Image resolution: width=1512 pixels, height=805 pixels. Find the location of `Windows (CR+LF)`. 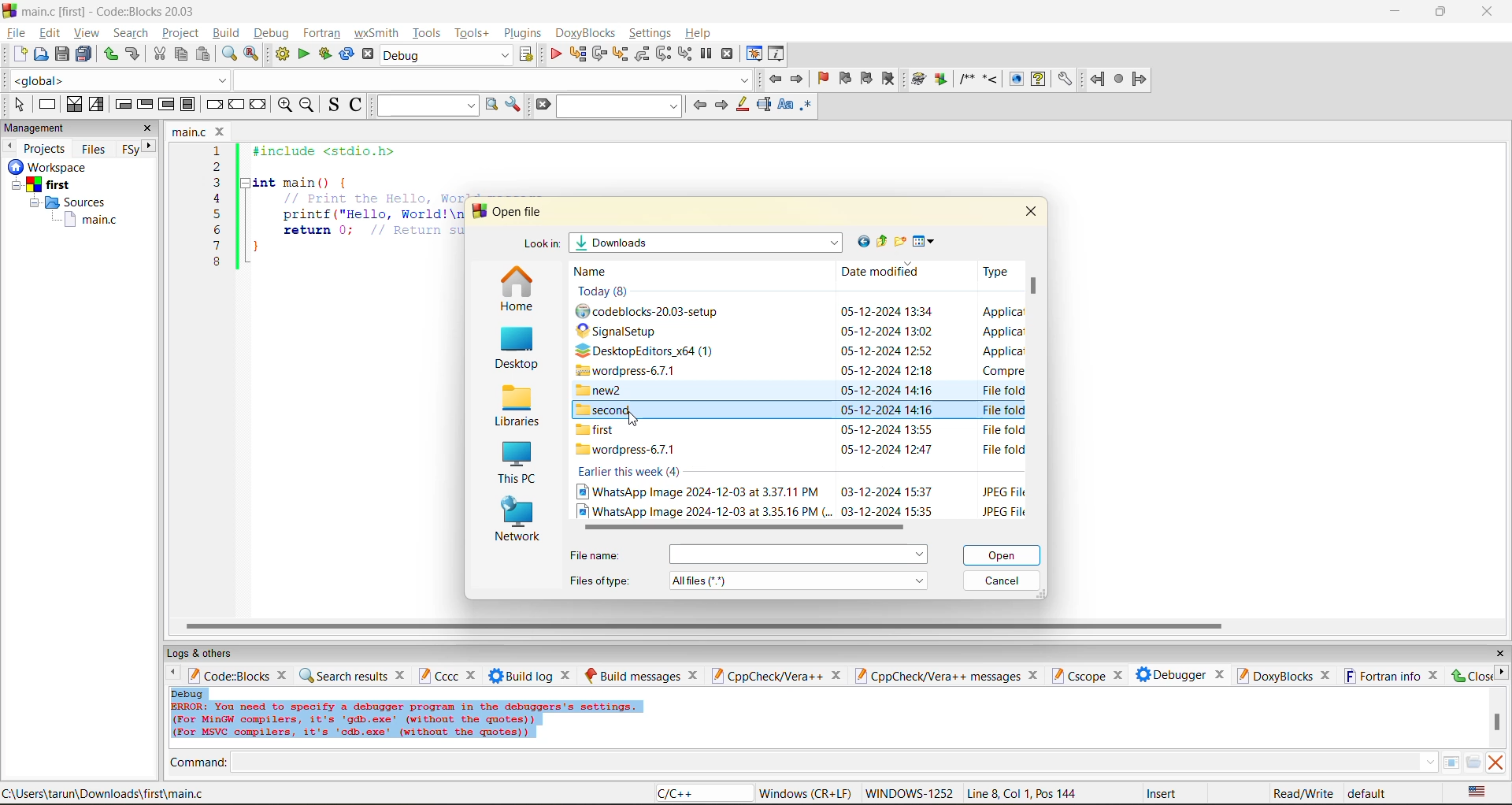

Windows (CR+LF) is located at coordinates (807, 793).